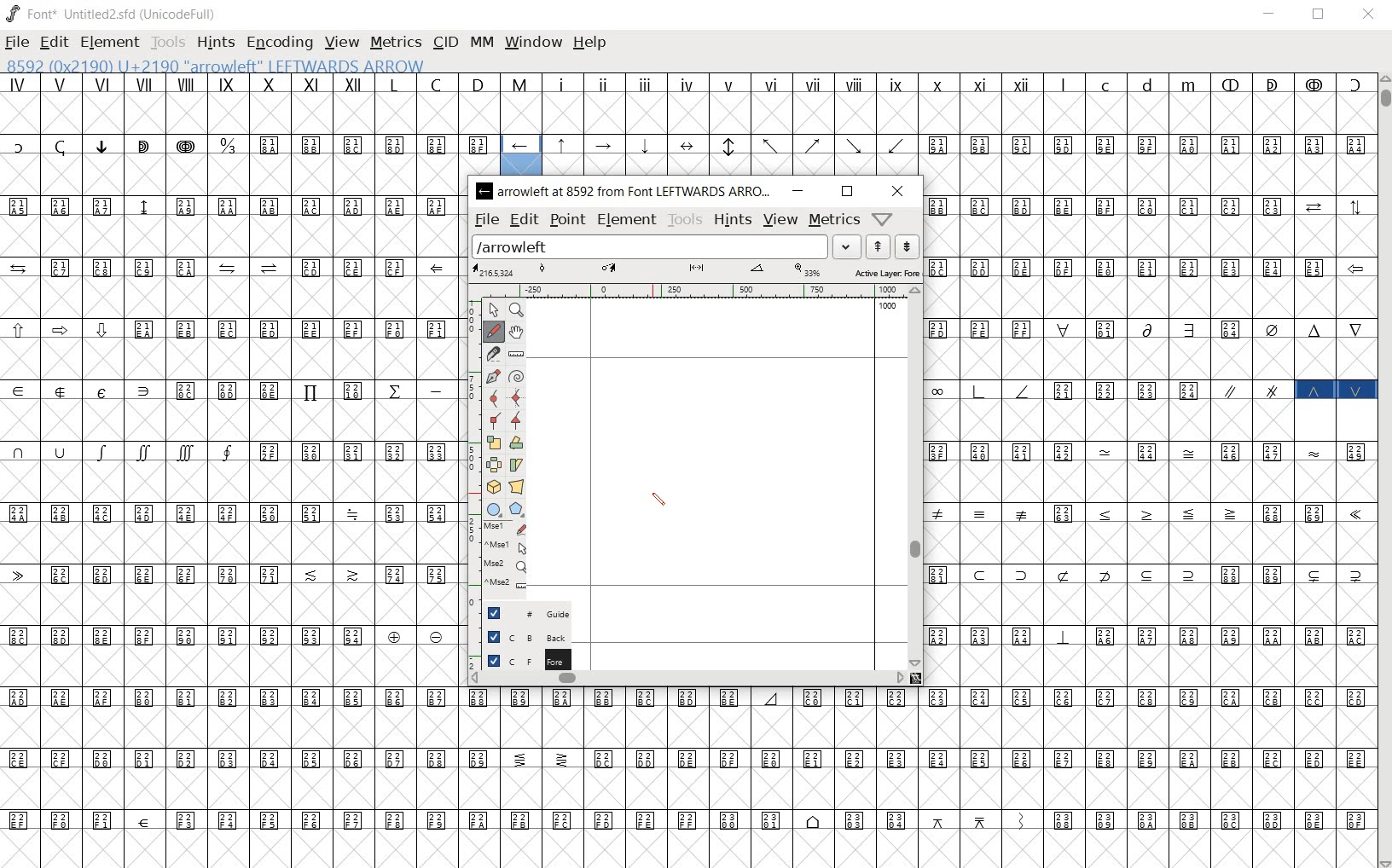  I want to click on glyph, so click(732, 121).